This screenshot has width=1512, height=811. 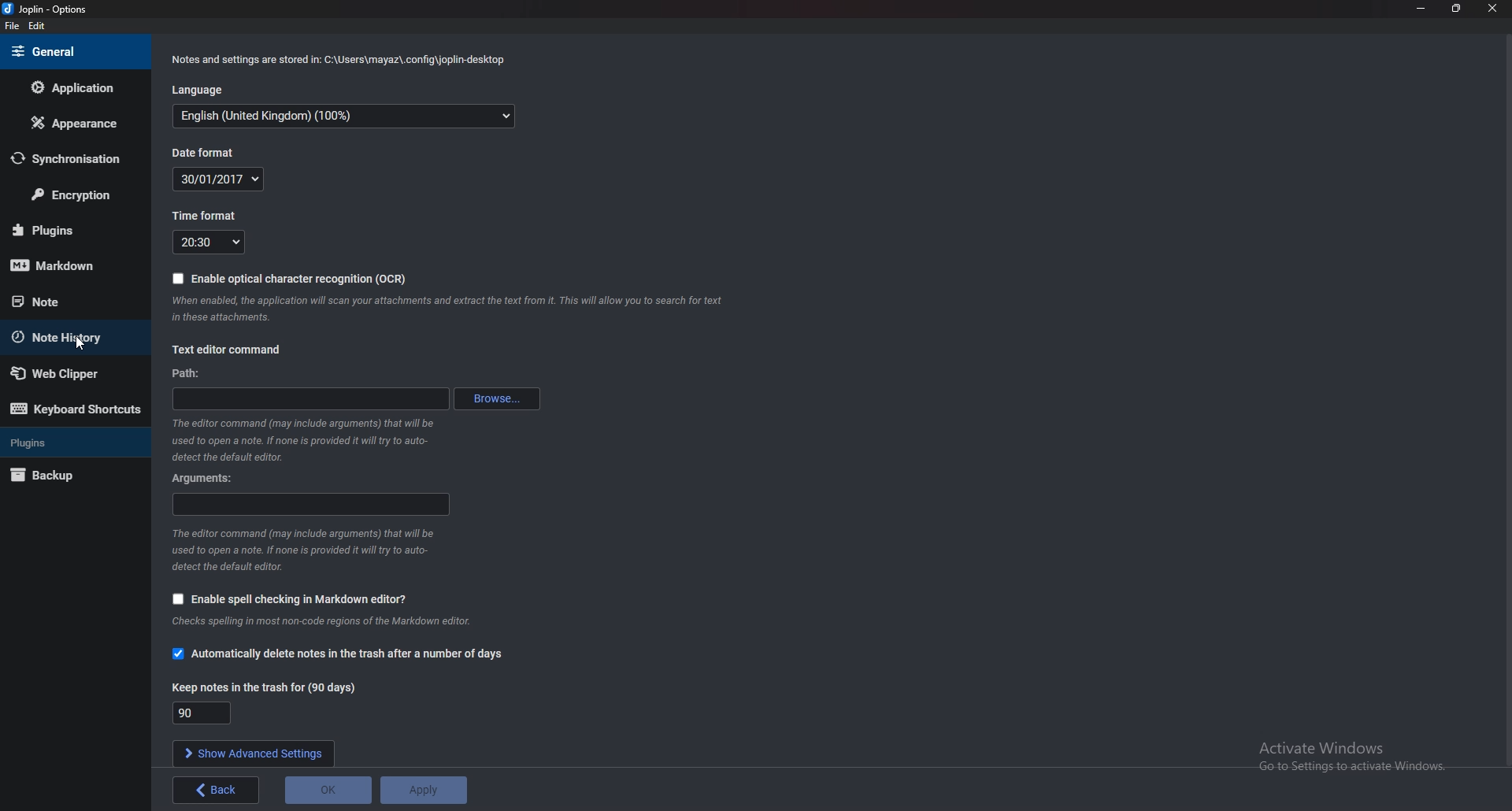 What do you see at coordinates (12, 26) in the screenshot?
I see `file` at bounding box center [12, 26].